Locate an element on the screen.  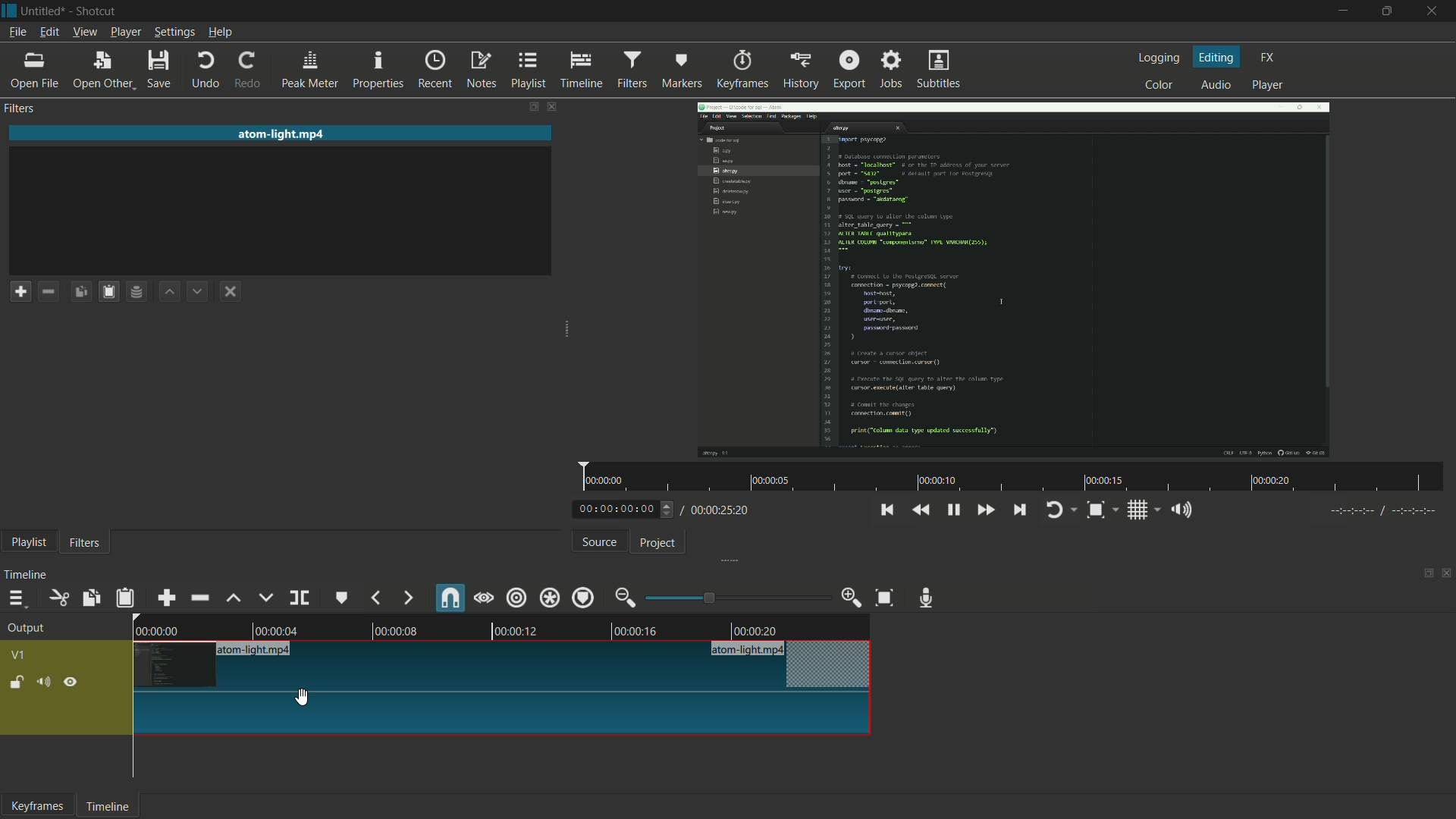
append is located at coordinates (167, 599).